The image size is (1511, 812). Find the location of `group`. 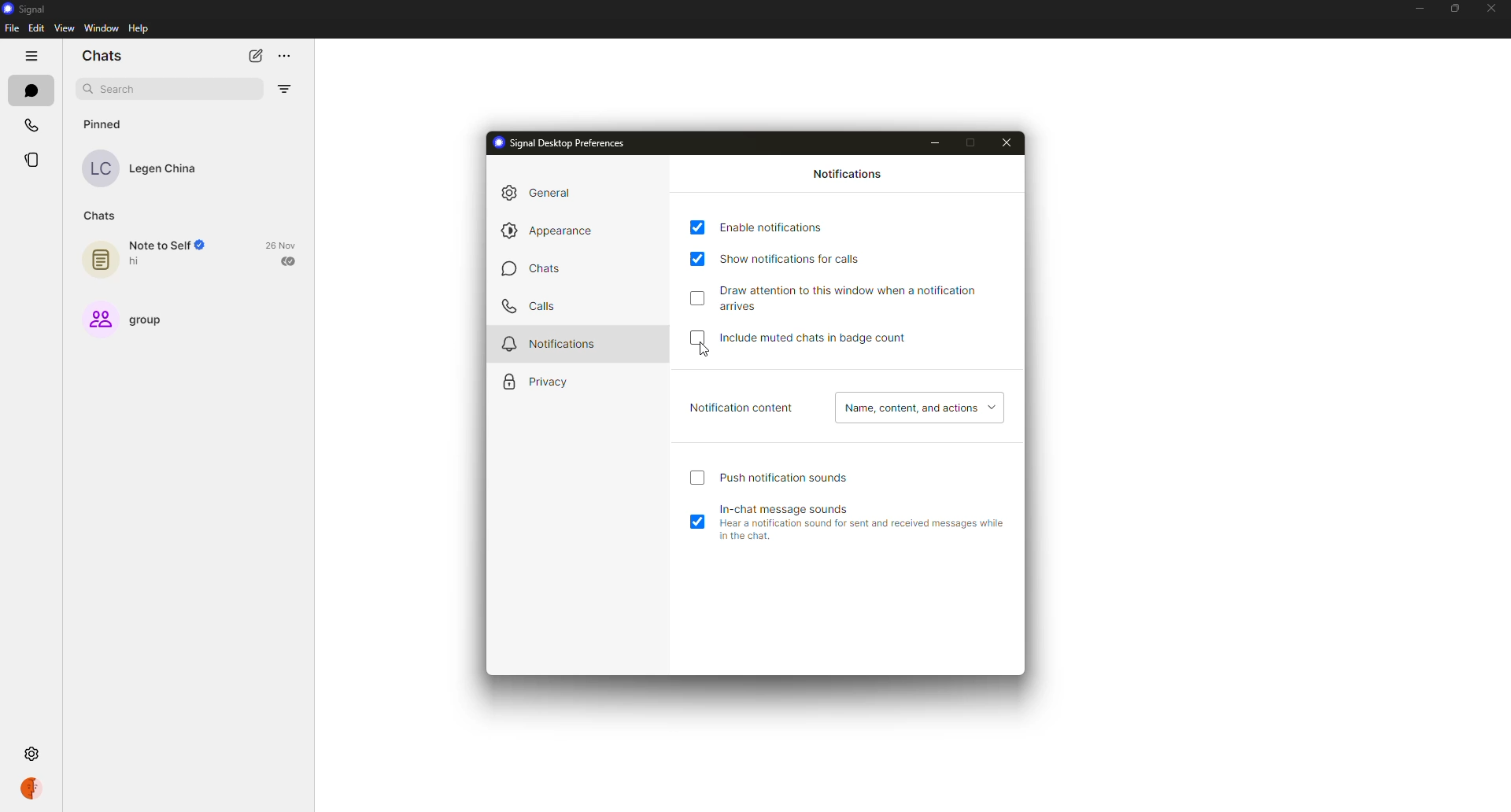

group is located at coordinates (157, 321).